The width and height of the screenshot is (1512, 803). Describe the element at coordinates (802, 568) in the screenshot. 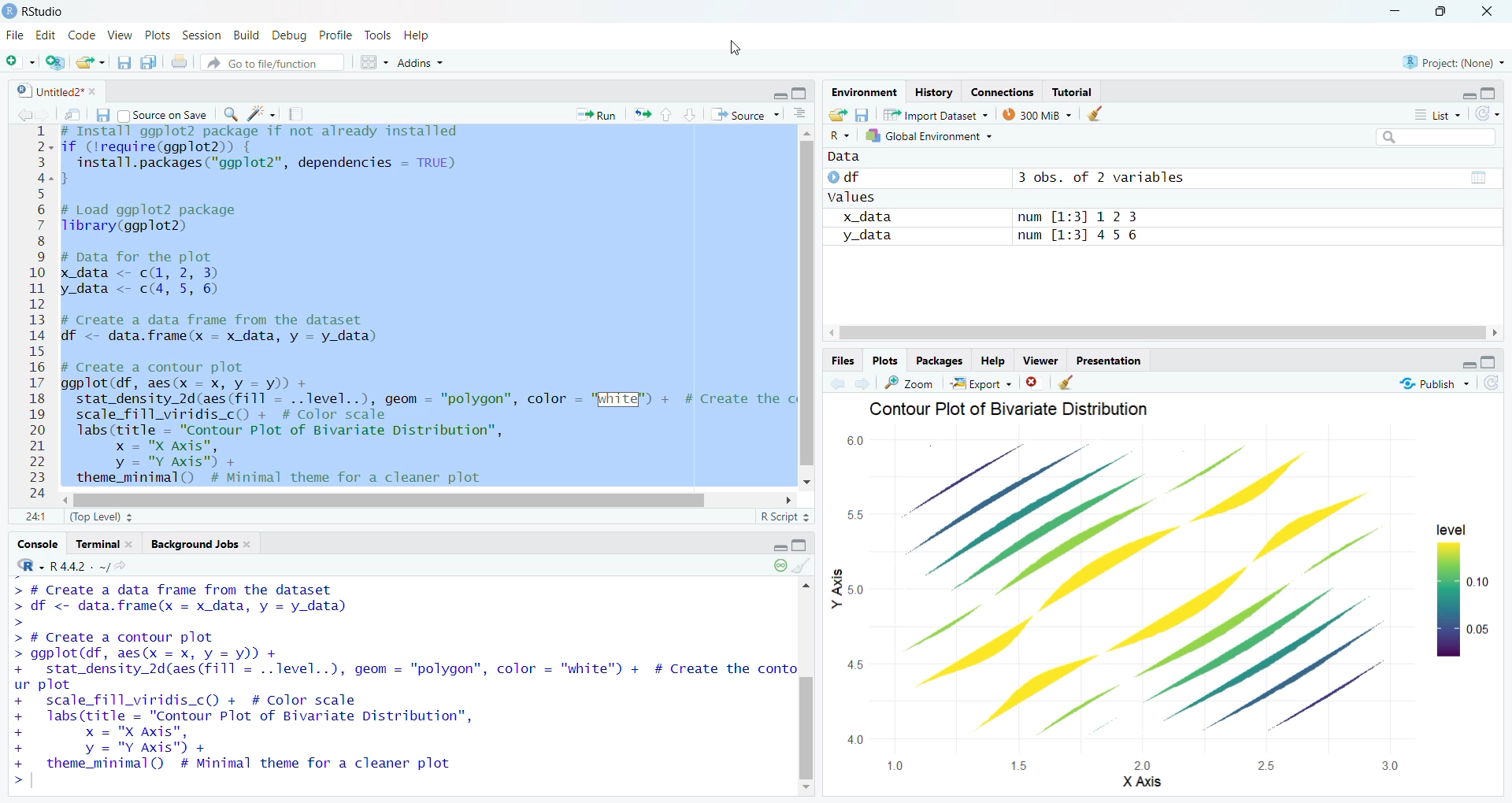

I see `clear console` at that location.